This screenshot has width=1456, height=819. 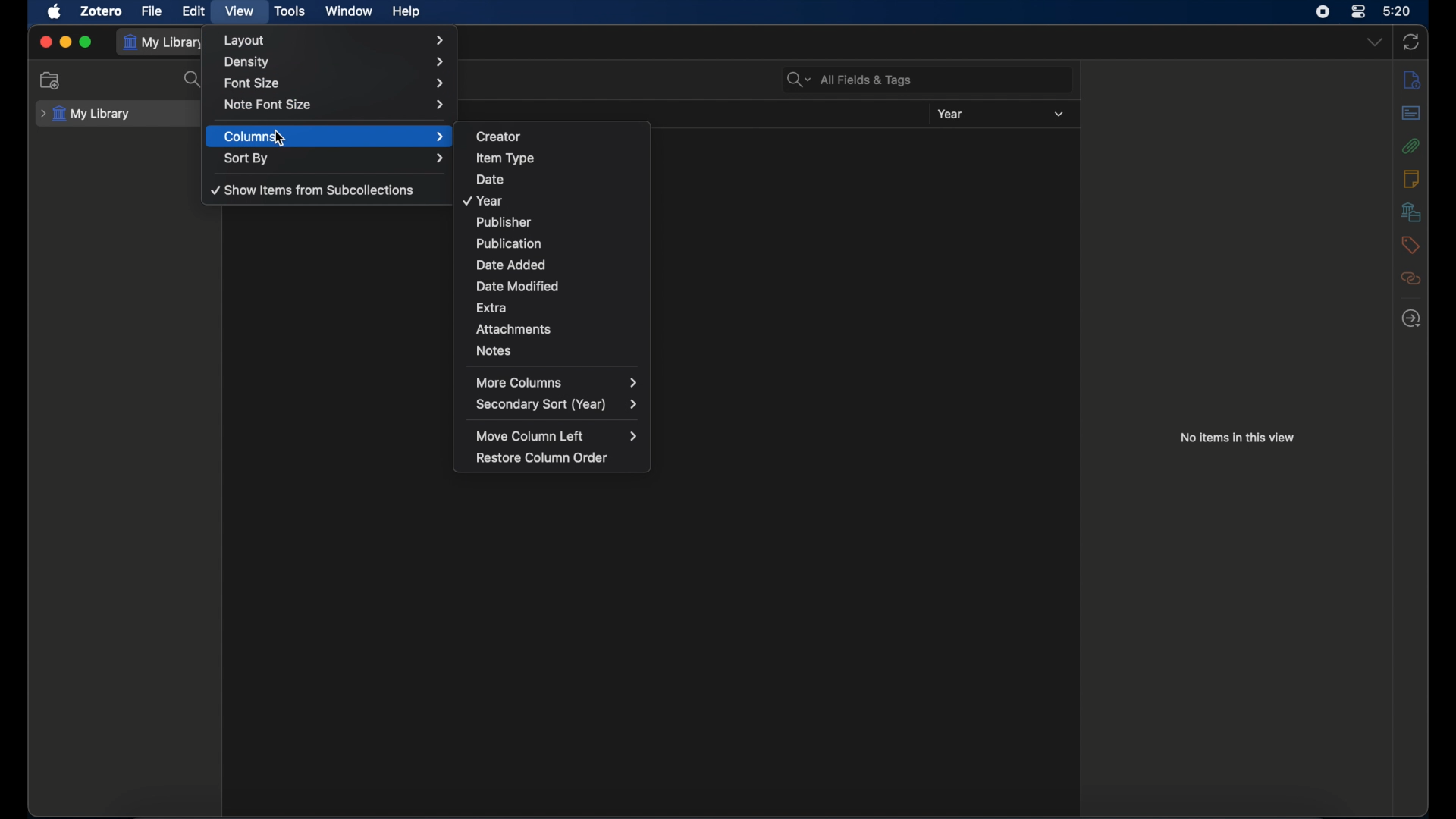 I want to click on tags, so click(x=1409, y=245).